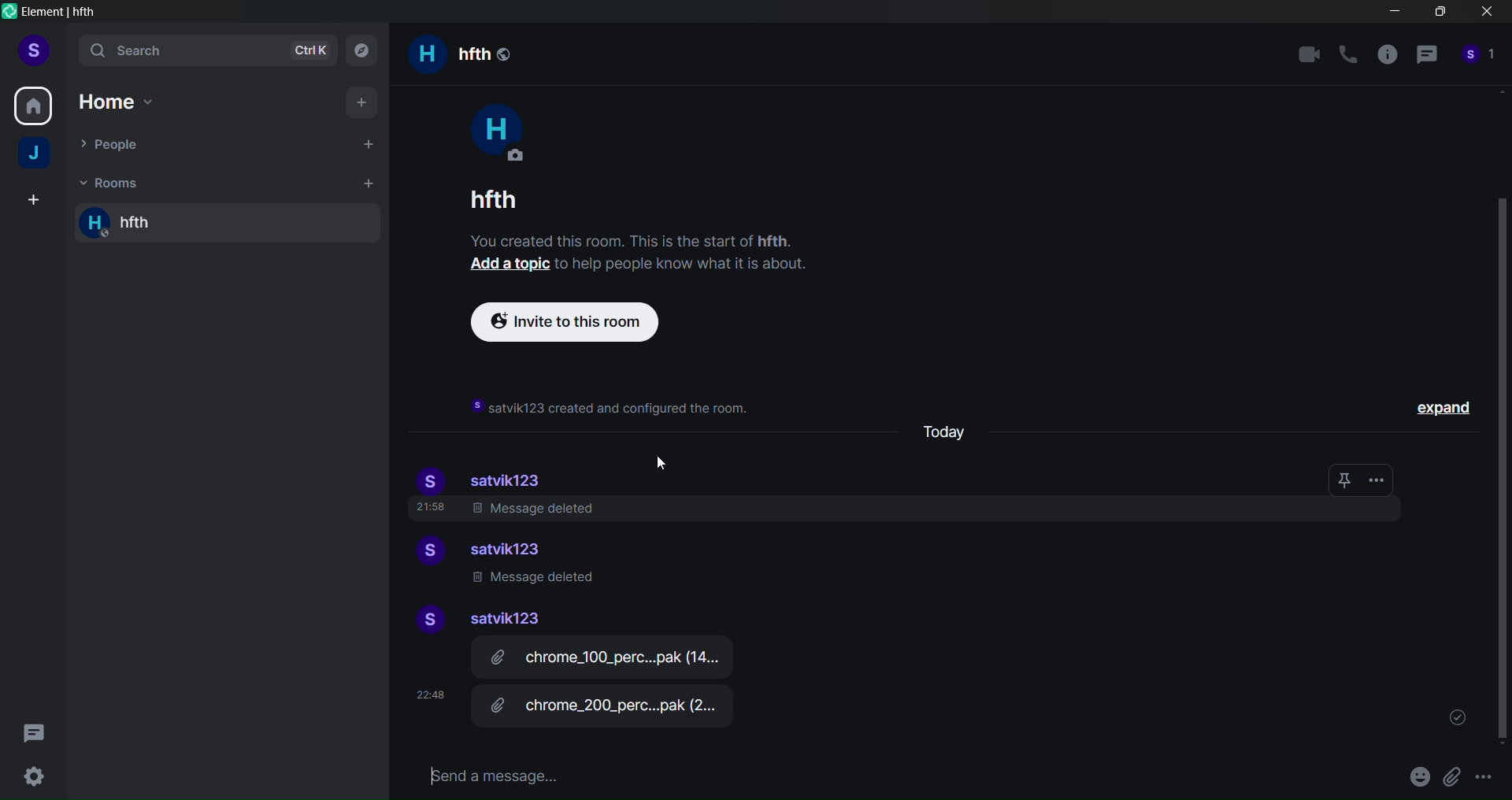 The height and width of the screenshot is (800, 1512). What do you see at coordinates (204, 52) in the screenshot?
I see `search` at bounding box center [204, 52].